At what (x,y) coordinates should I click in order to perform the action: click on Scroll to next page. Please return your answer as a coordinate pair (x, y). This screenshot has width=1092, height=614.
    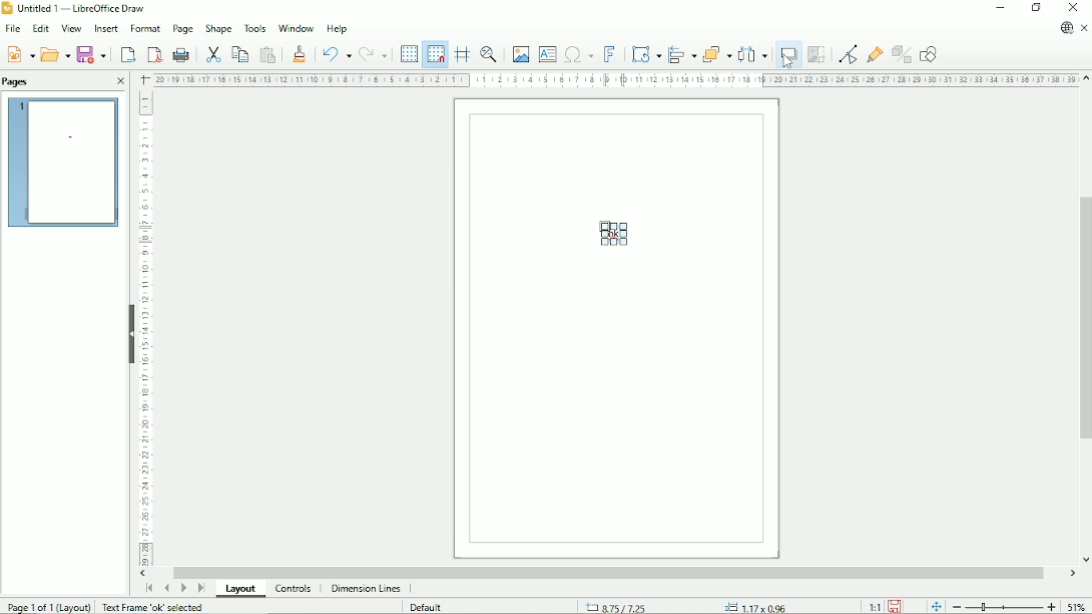
    Looking at the image, I should click on (183, 588).